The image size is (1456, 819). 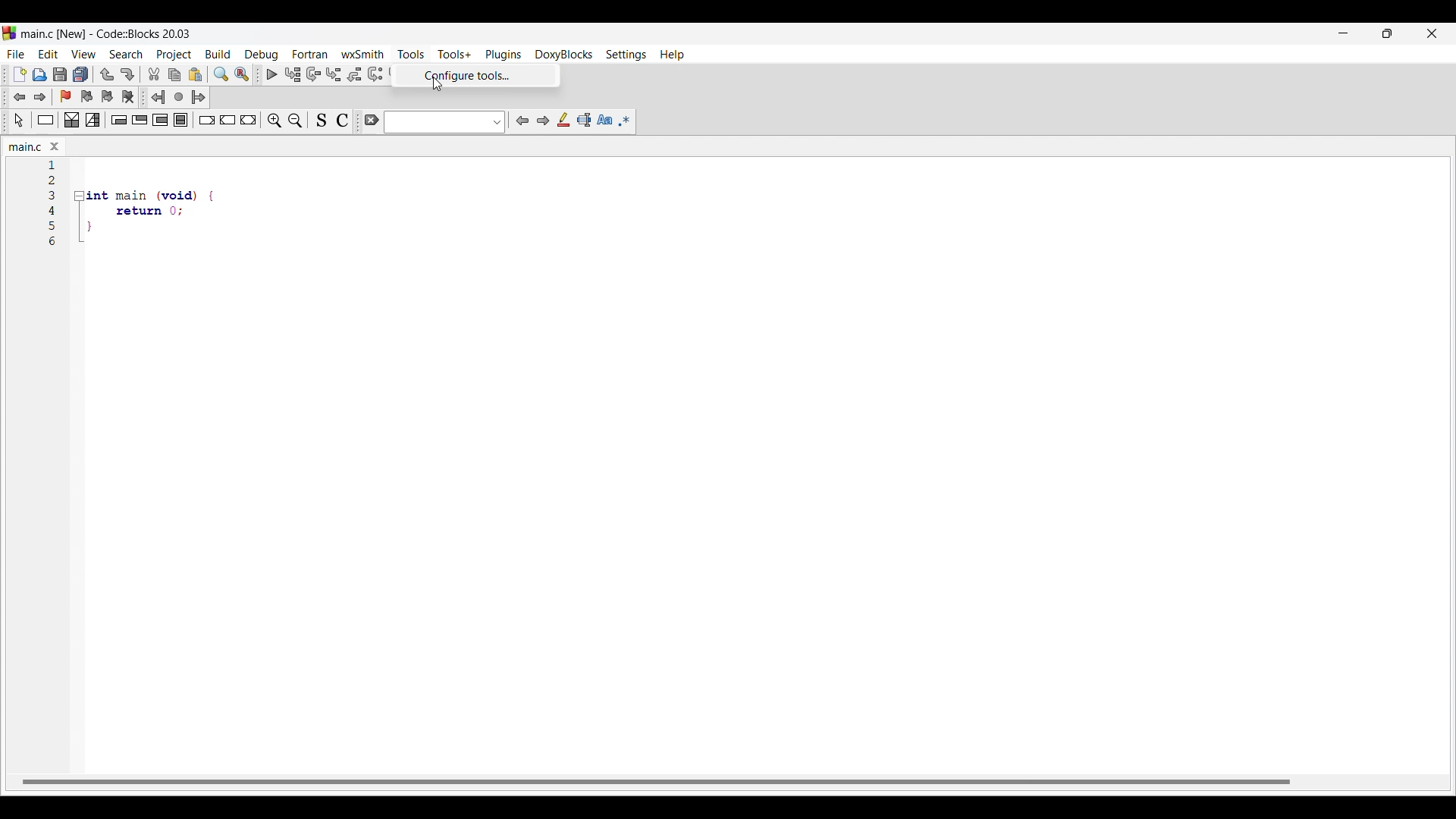 What do you see at coordinates (39, 97) in the screenshot?
I see `Jump forward ` at bounding box center [39, 97].